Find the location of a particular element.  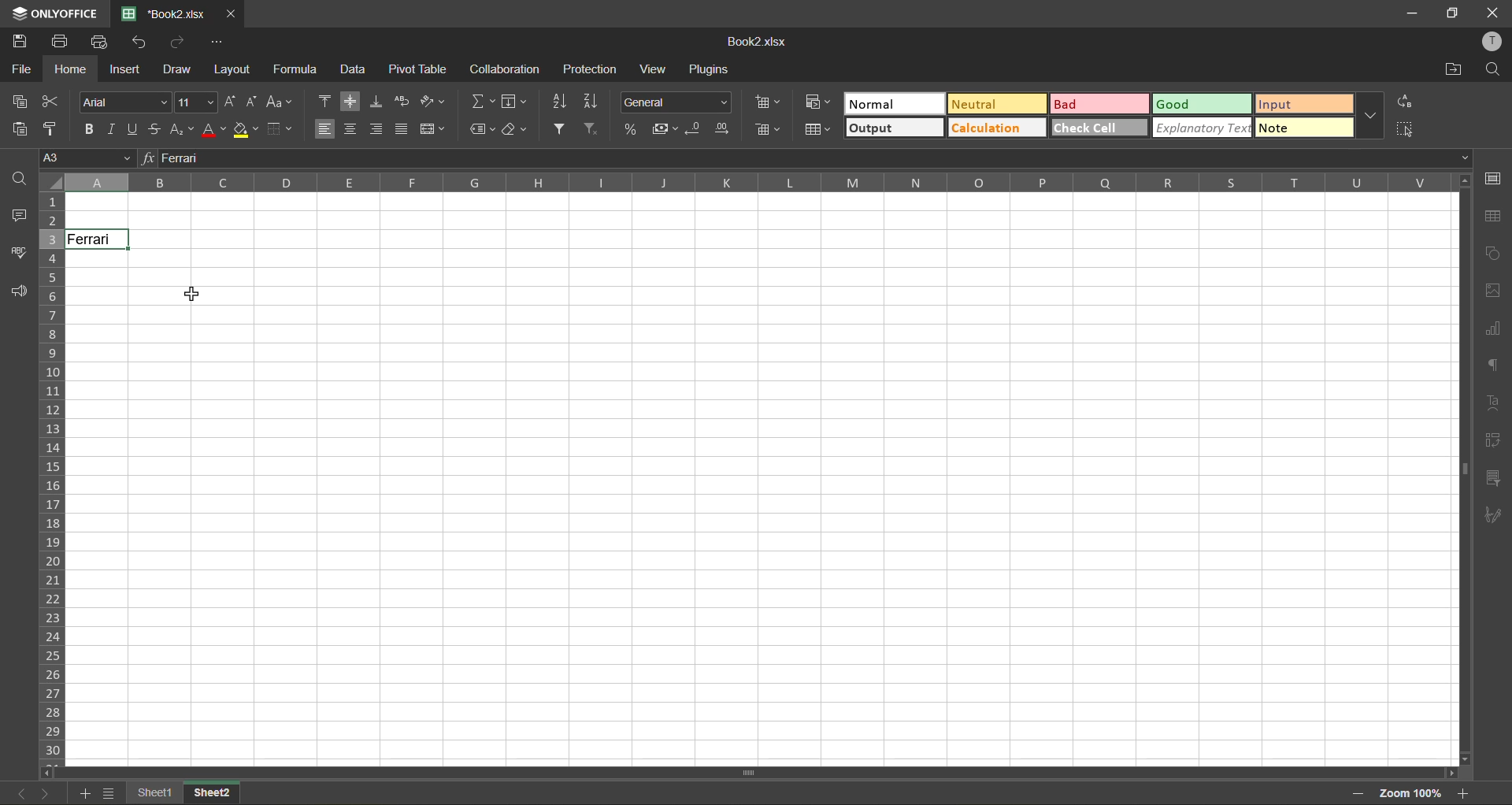

cut is located at coordinates (53, 101).